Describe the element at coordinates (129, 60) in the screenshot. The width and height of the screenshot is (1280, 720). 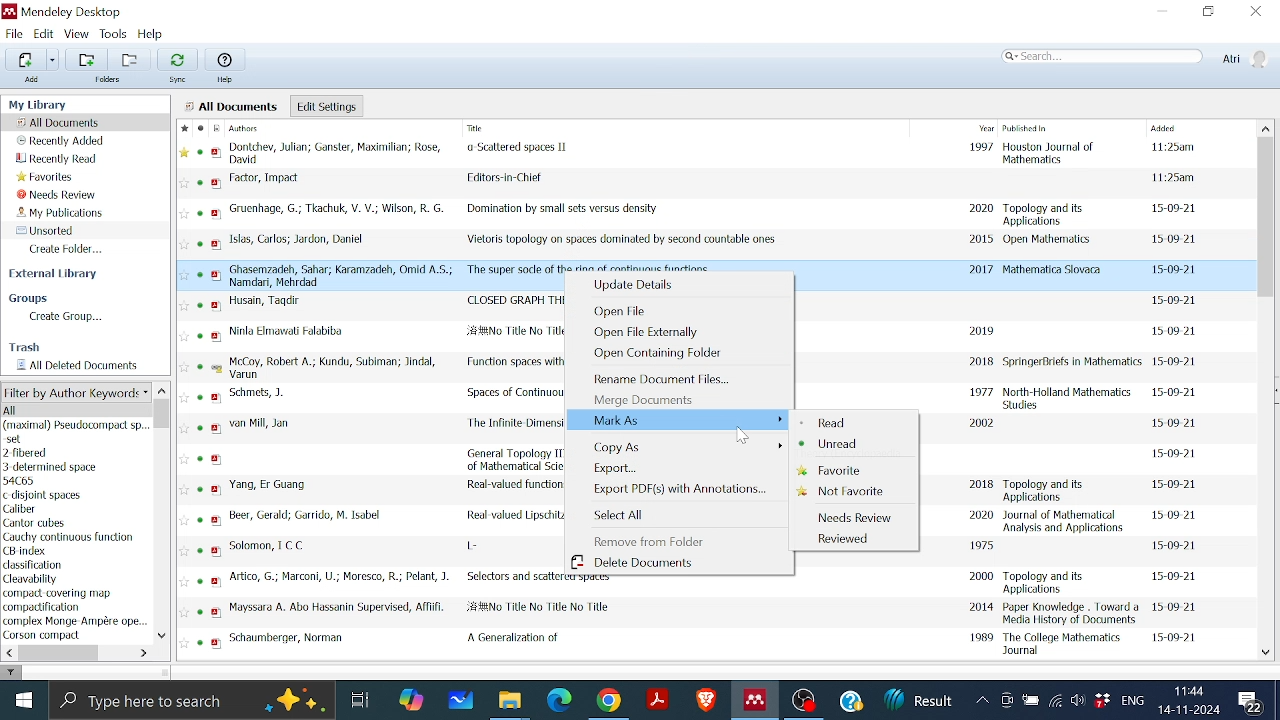
I see `remove folder` at that location.